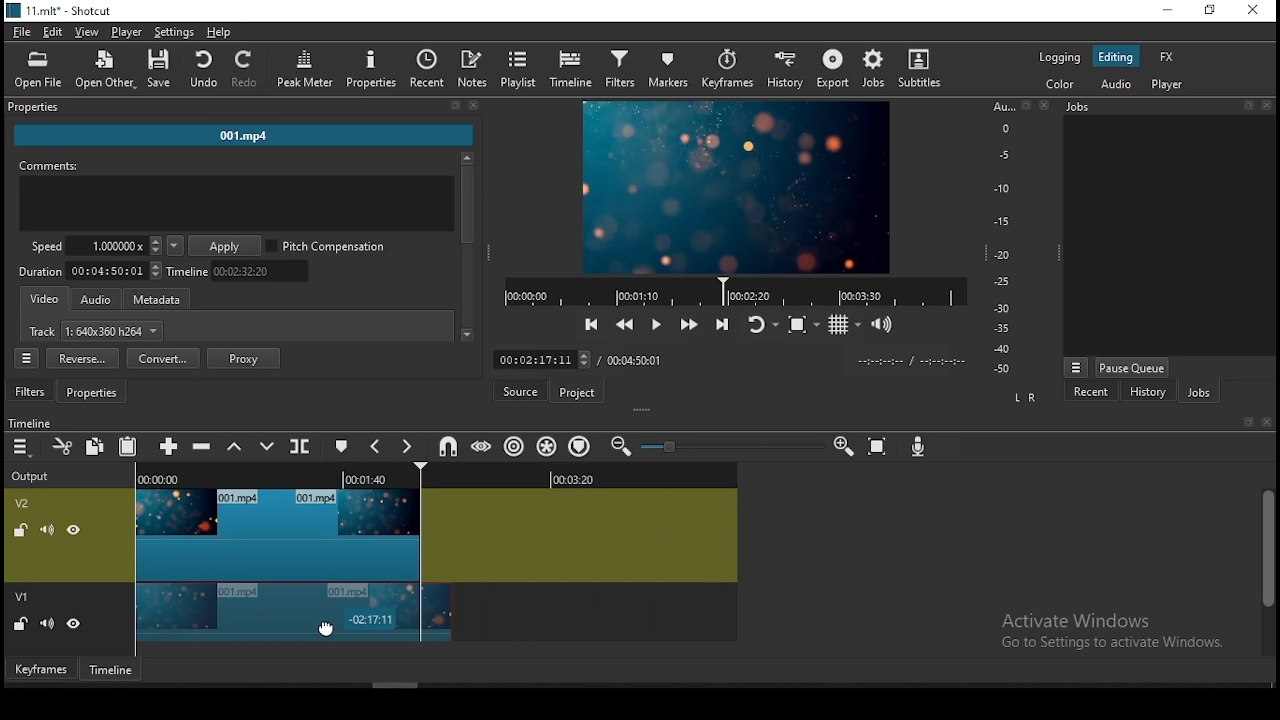 This screenshot has width=1280, height=720. I want to click on split at playhead, so click(302, 446).